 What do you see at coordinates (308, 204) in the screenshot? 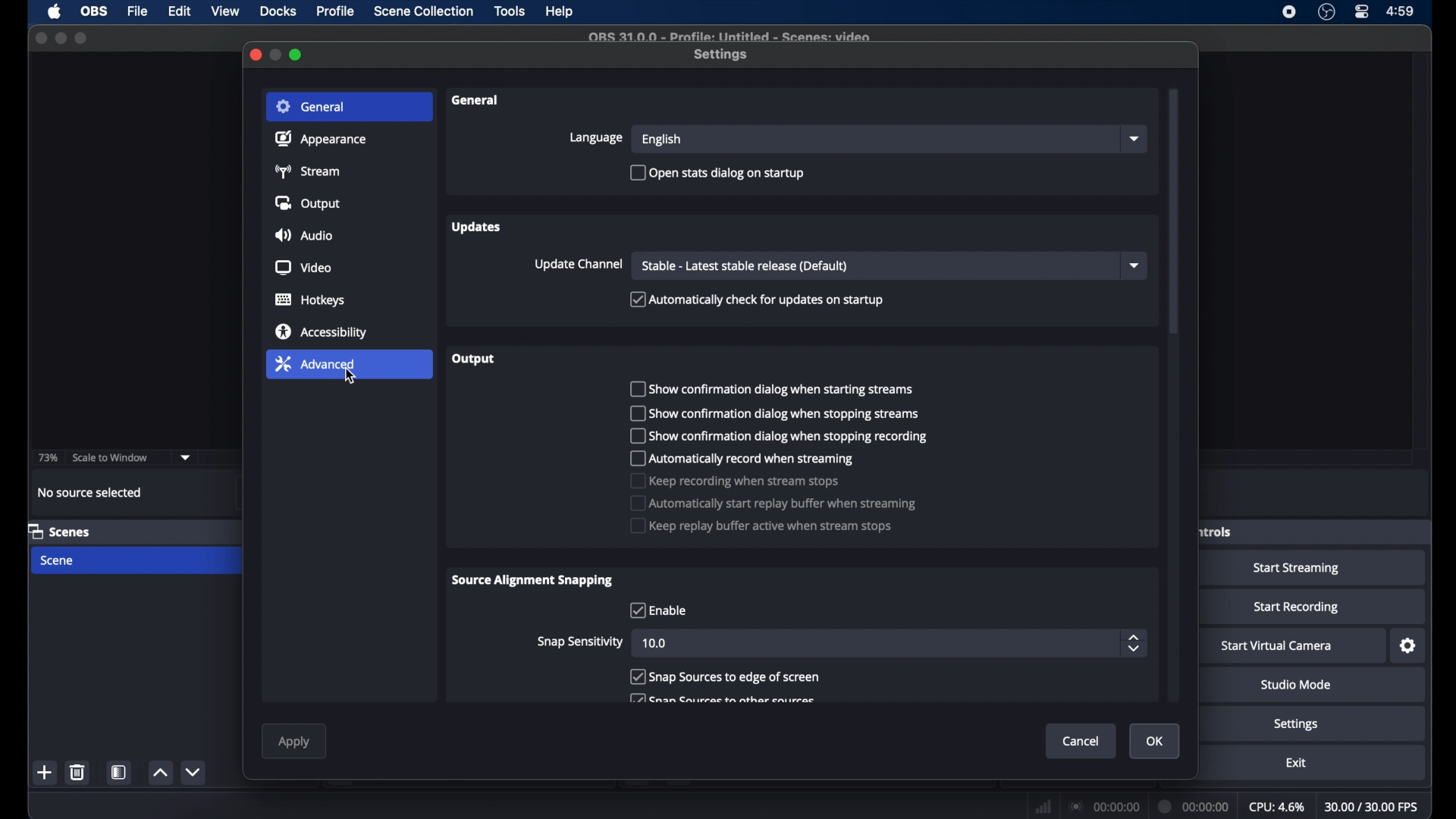
I see `output` at bounding box center [308, 204].